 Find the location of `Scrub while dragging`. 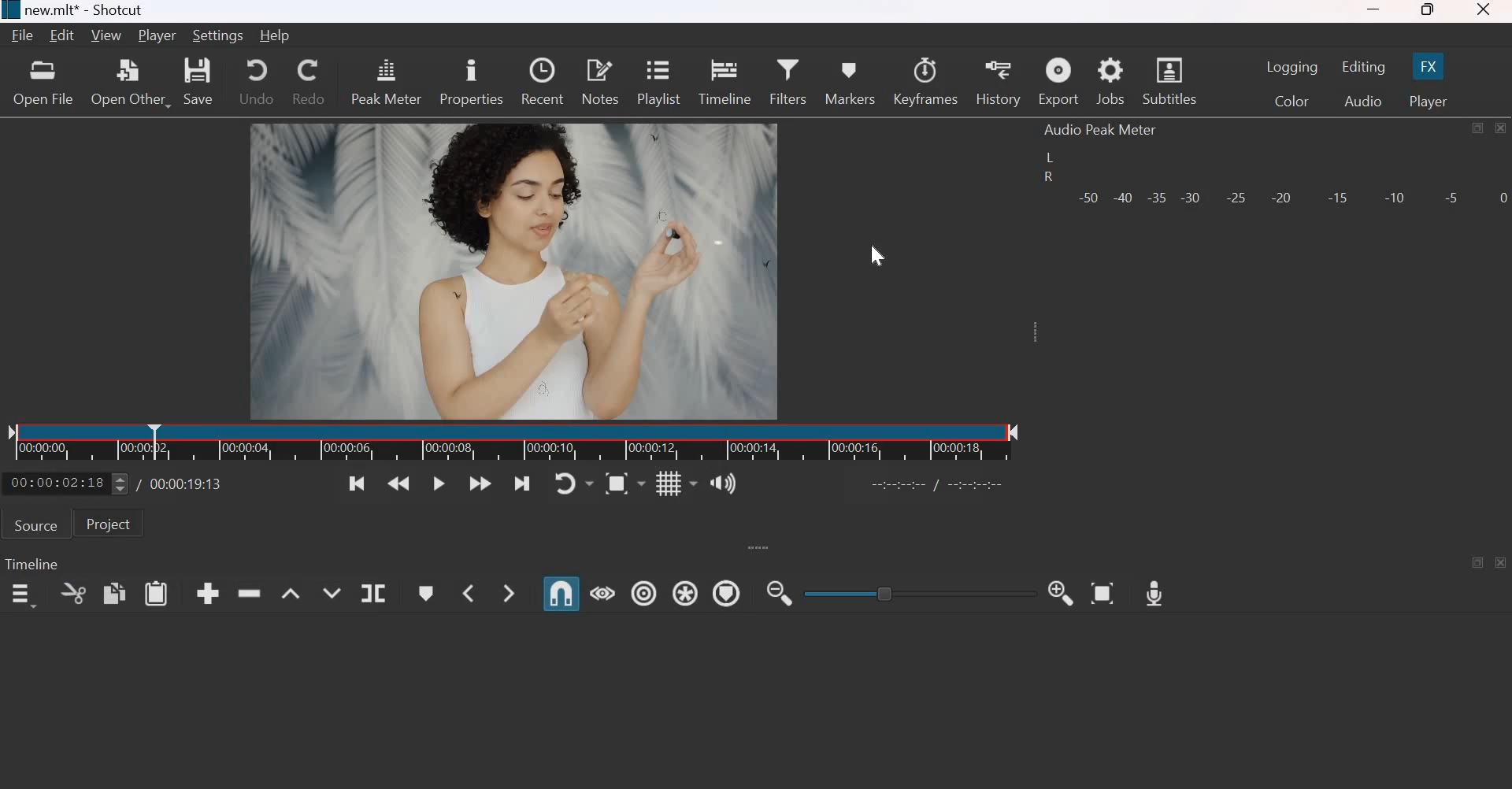

Scrub while dragging is located at coordinates (602, 592).